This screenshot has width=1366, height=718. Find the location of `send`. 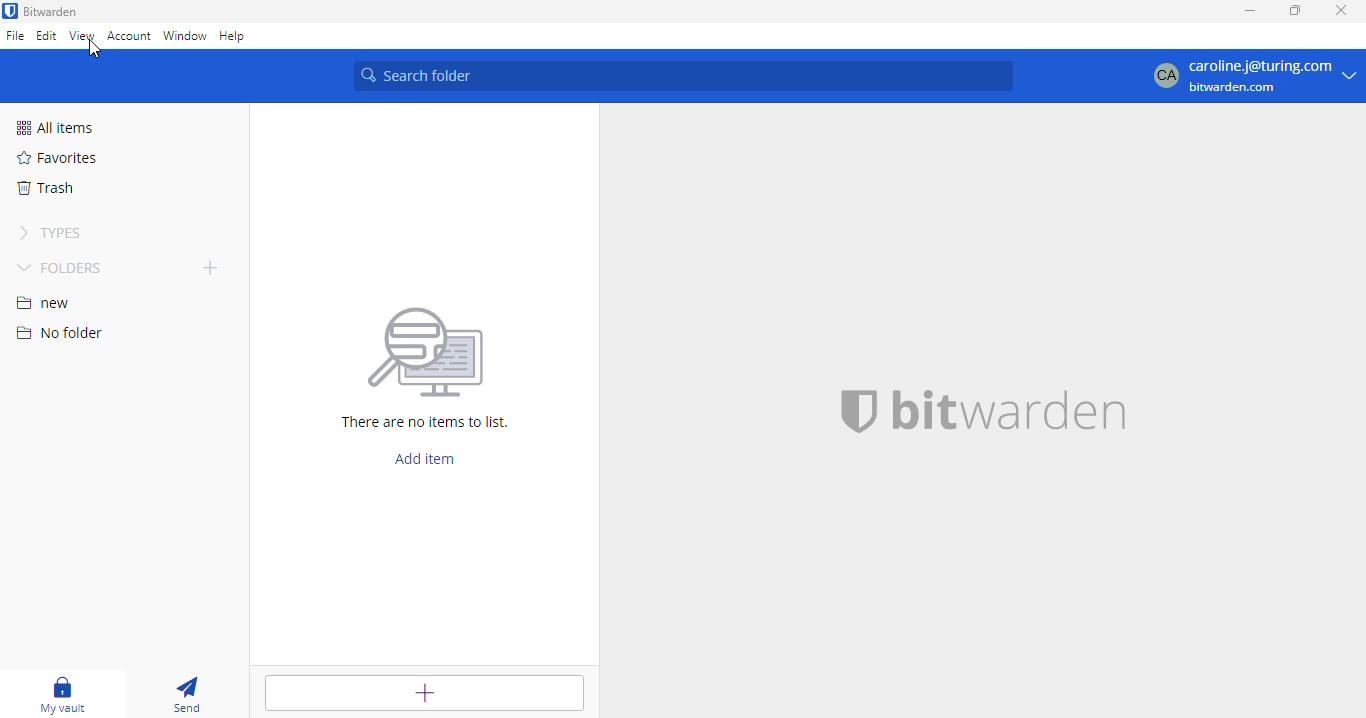

send is located at coordinates (186, 694).